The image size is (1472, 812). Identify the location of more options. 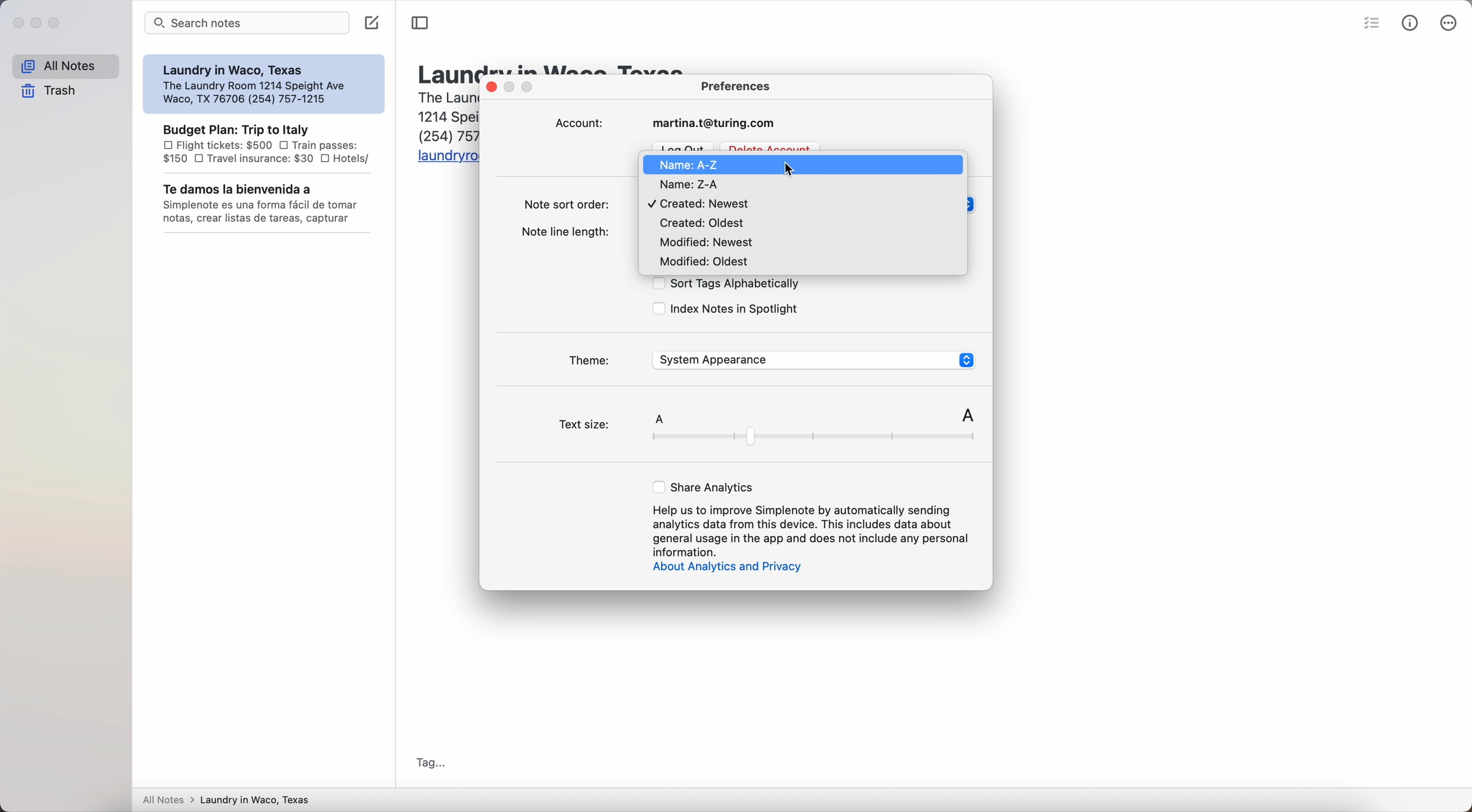
(1451, 22).